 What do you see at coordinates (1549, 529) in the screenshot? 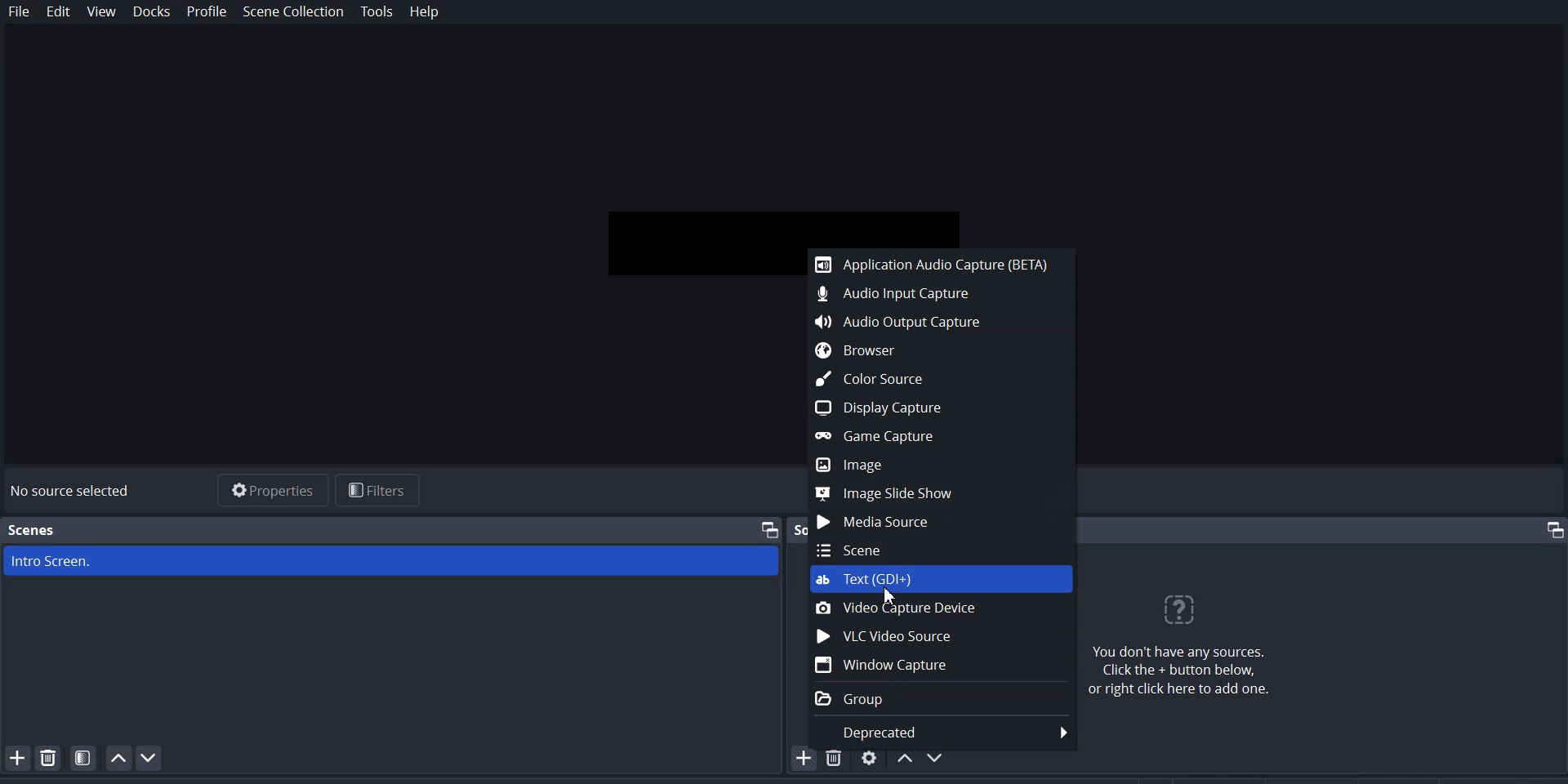
I see `Maximize` at bounding box center [1549, 529].